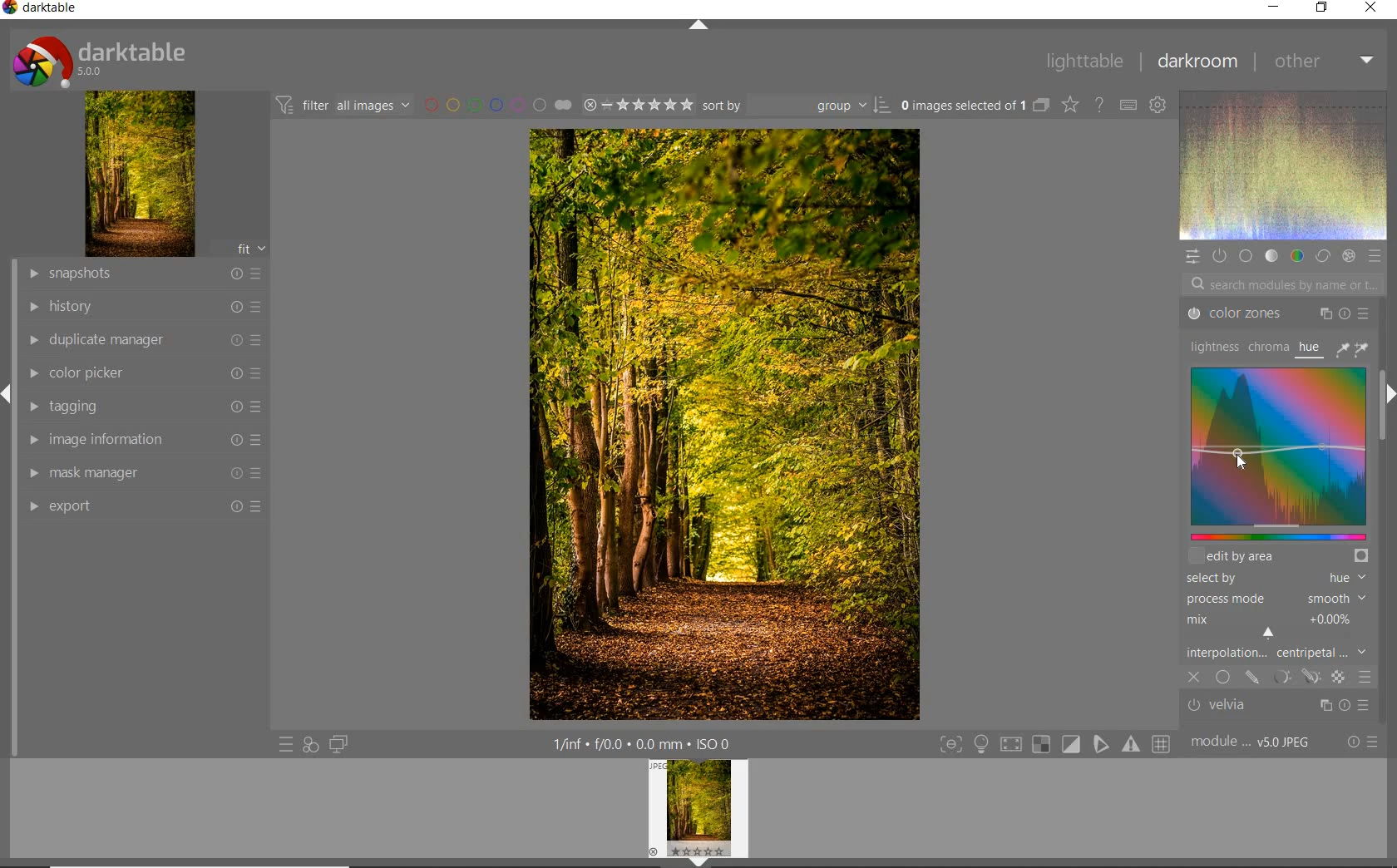 The height and width of the screenshot is (868, 1397). Describe the element at coordinates (146, 508) in the screenshot. I see `EFFORT` at that location.